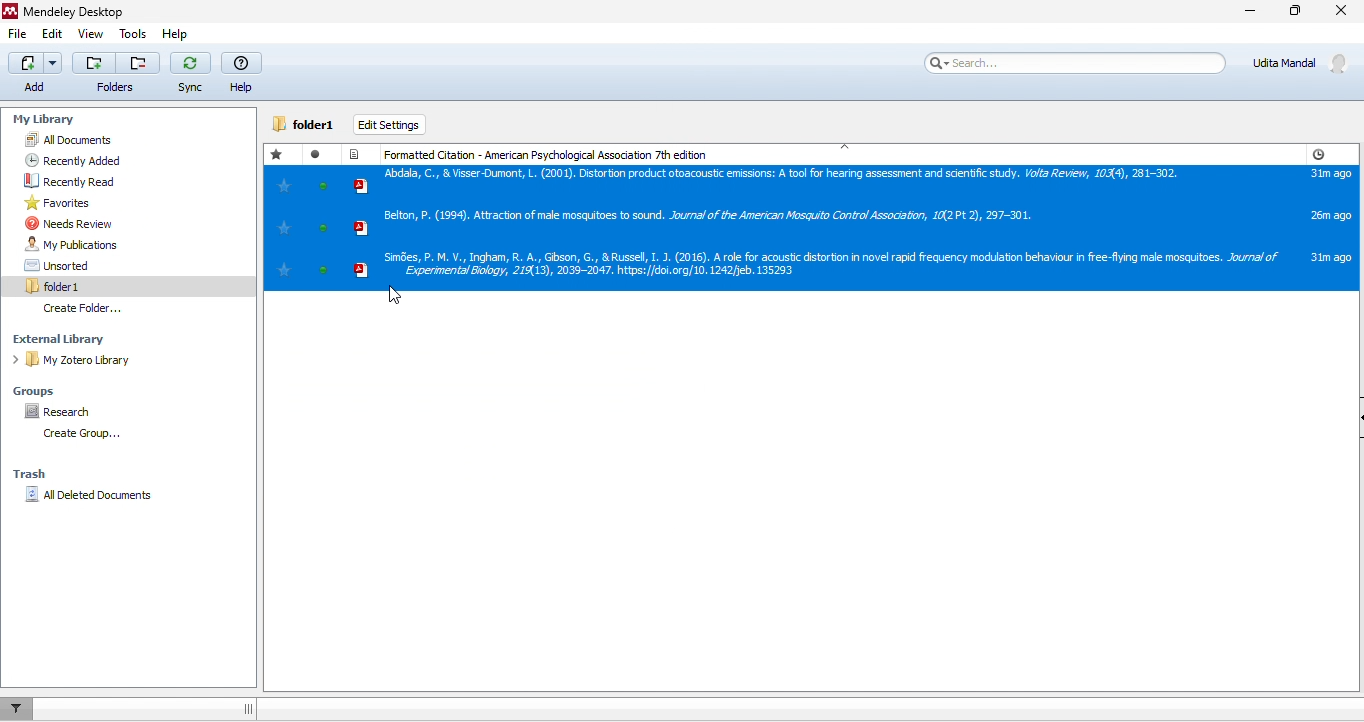 The height and width of the screenshot is (722, 1364). I want to click on trash, so click(33, 472).